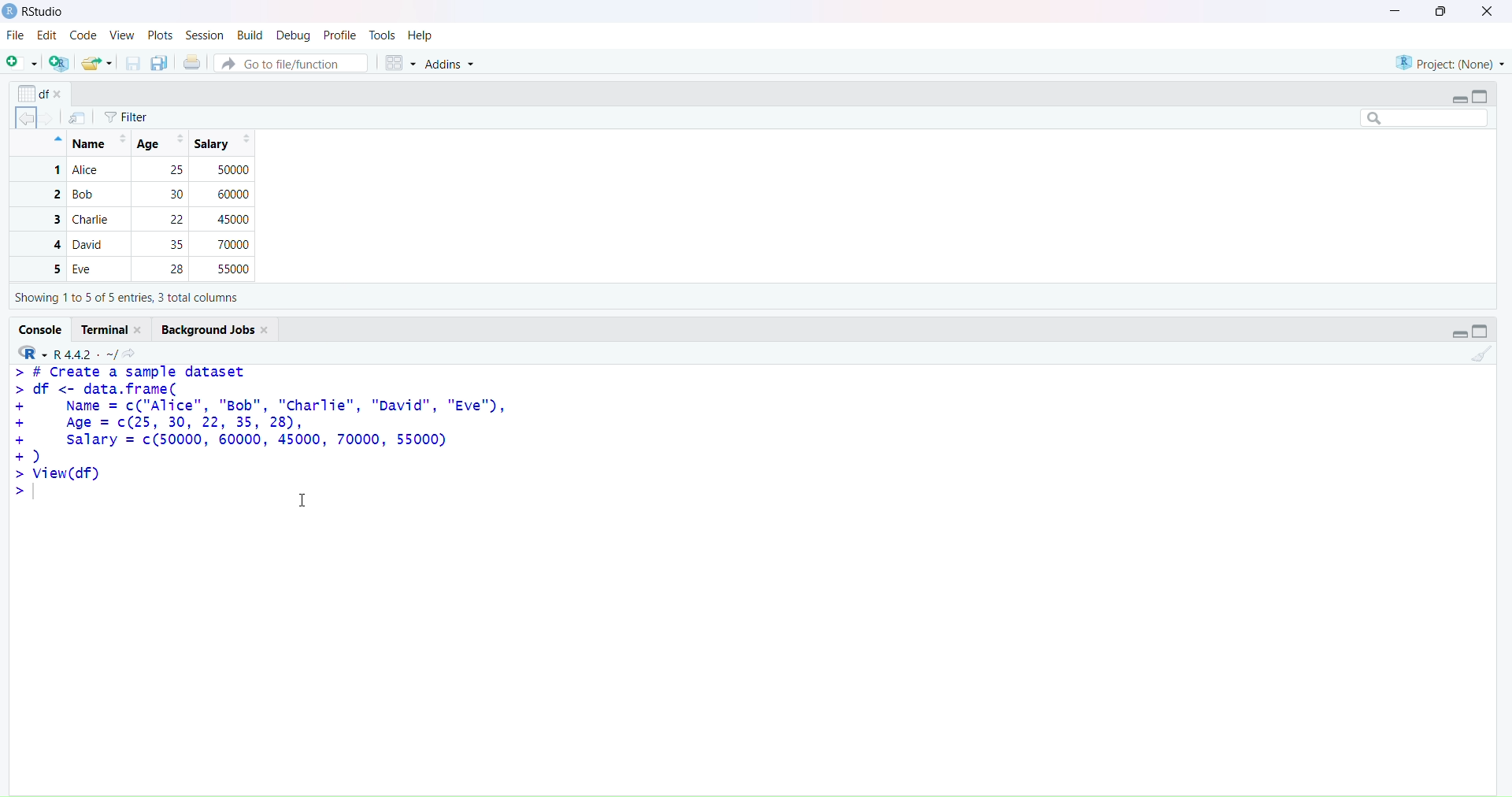  Describe the element at coordinates (206, 35) in the screenshot. I see `session` at that location.